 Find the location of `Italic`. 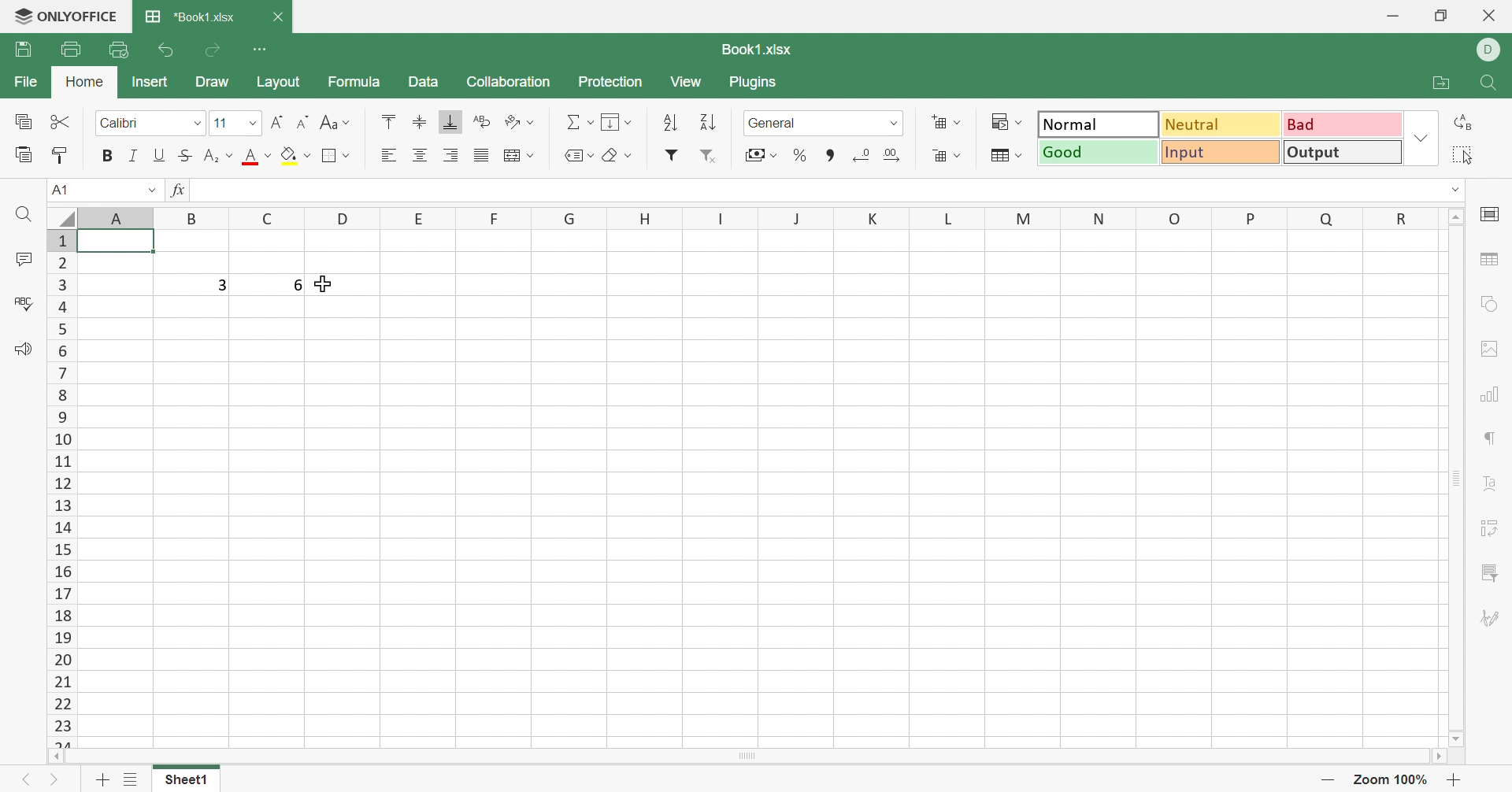

Italic is located at coordinates (135, 157).